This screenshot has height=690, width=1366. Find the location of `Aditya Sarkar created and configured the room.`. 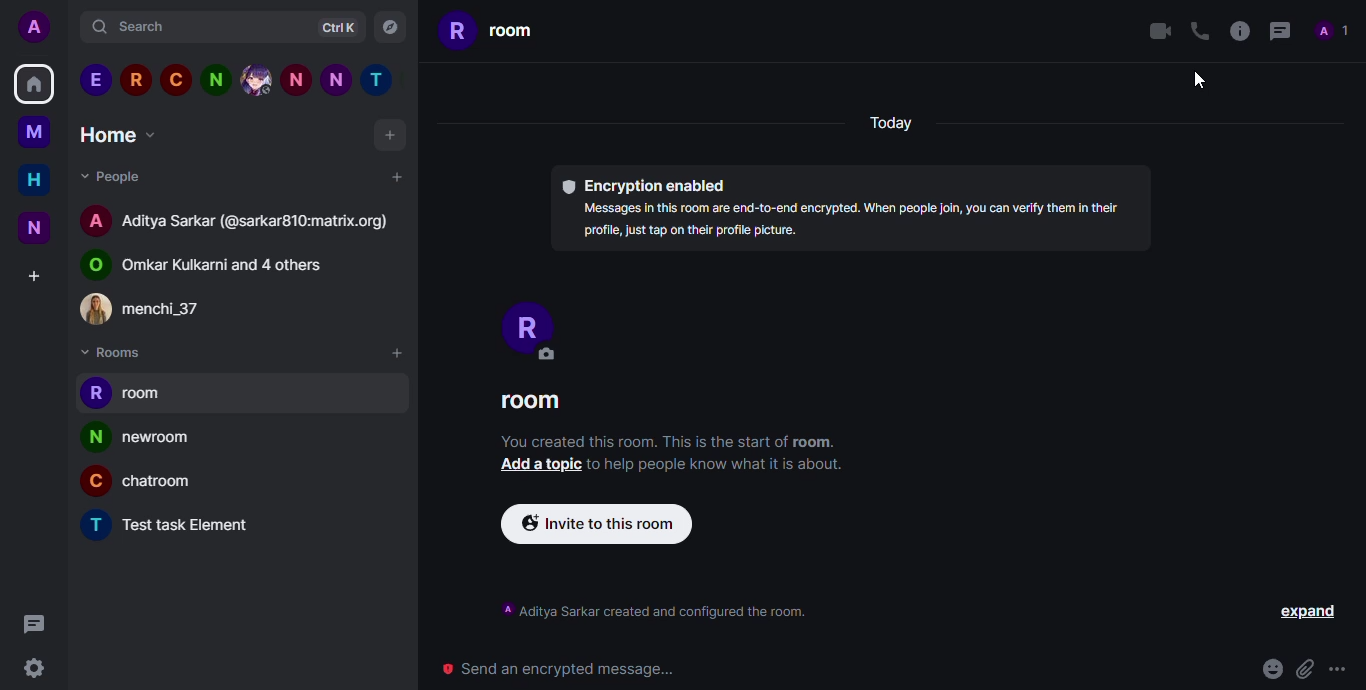

Aditya Sarkar created and configured the room. is located at coordinates (658, 610).